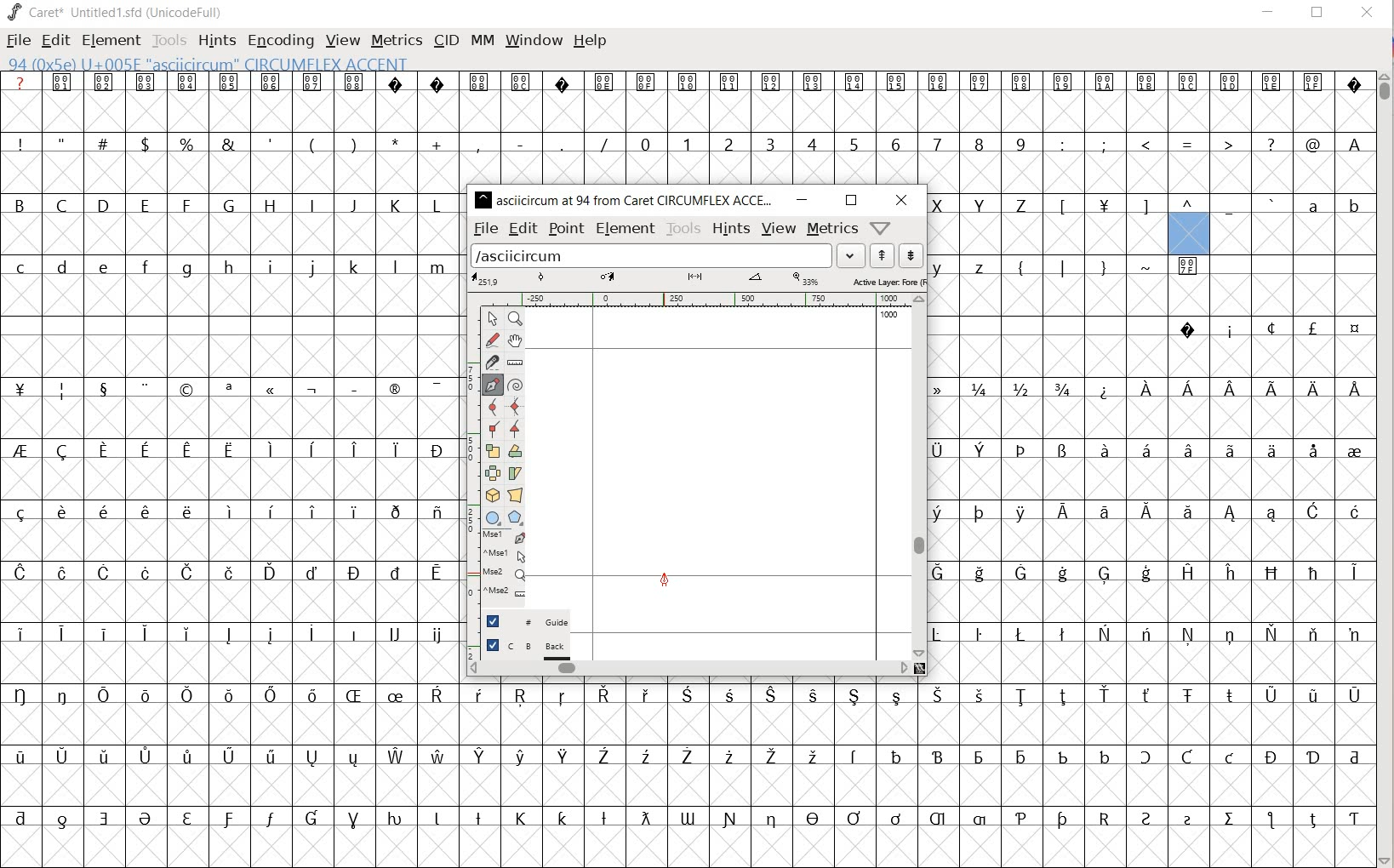  I want to click on caret* untitled1.sfd (unicodefull), so click(117, 11).